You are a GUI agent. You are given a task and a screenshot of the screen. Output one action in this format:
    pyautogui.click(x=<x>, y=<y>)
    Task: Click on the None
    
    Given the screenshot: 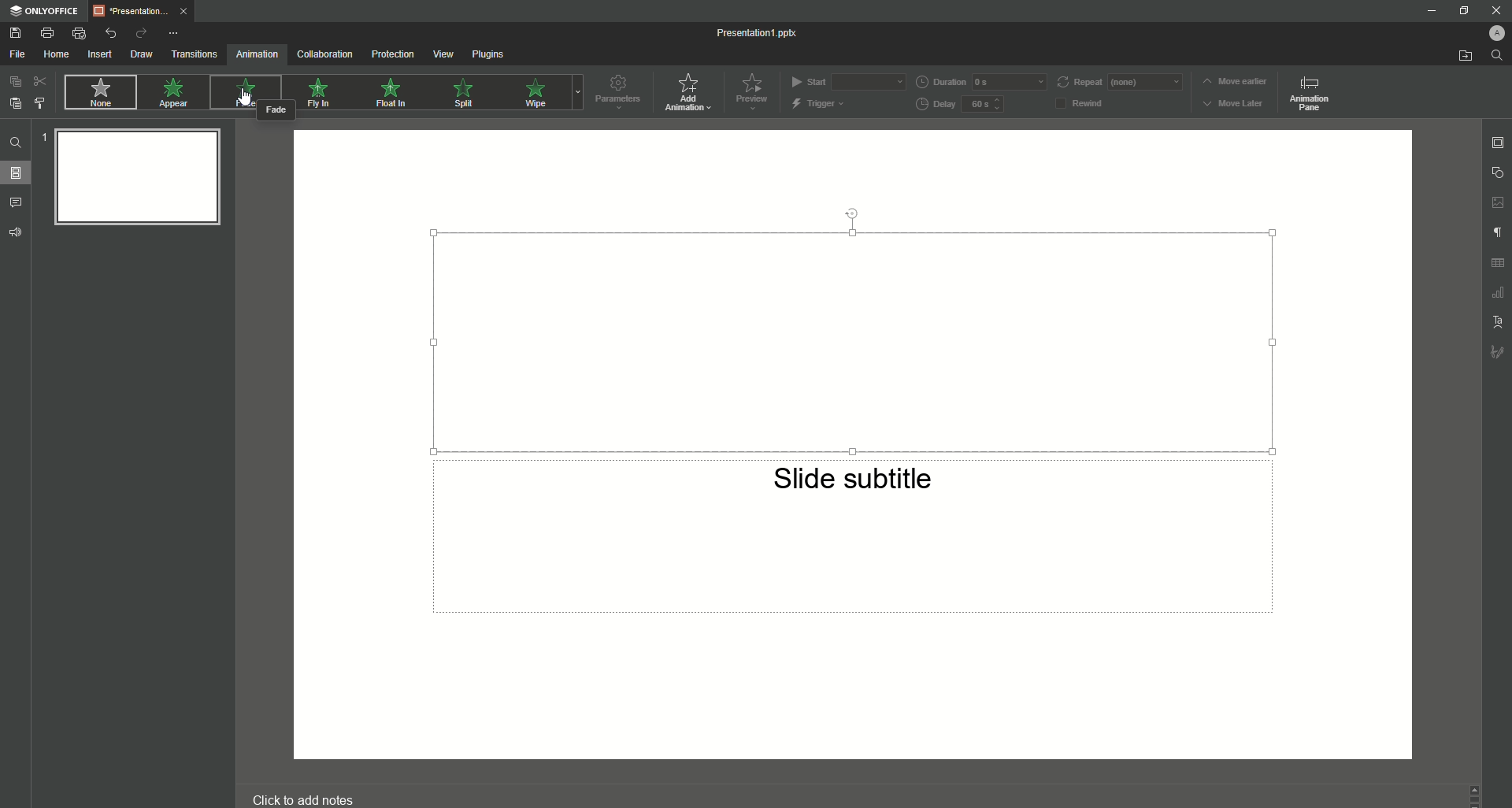 What is the action you would take?
    pyautogui.click(x=99, y=93)
    